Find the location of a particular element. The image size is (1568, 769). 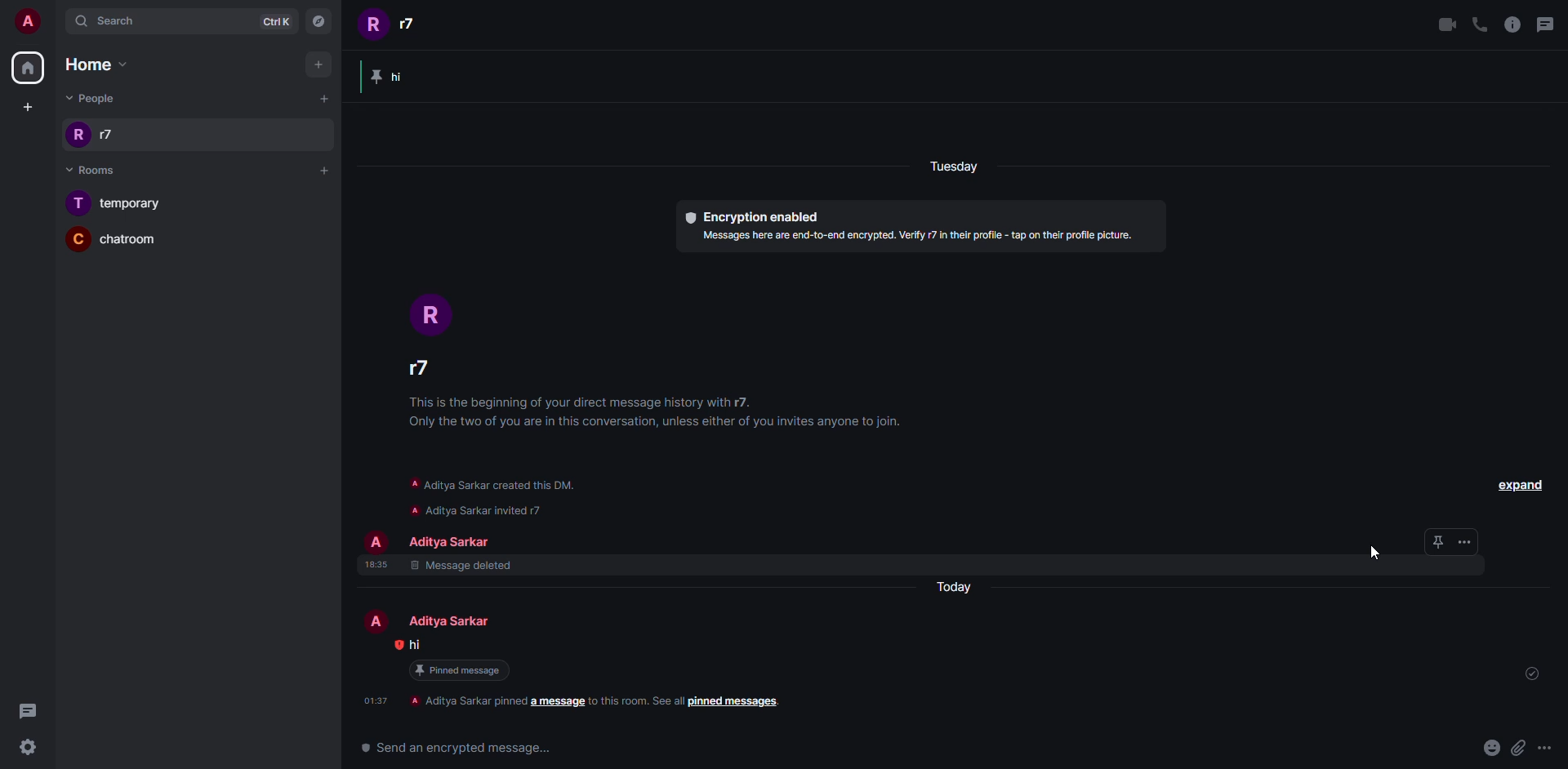

message pinned is located at coordinates (400, 76).